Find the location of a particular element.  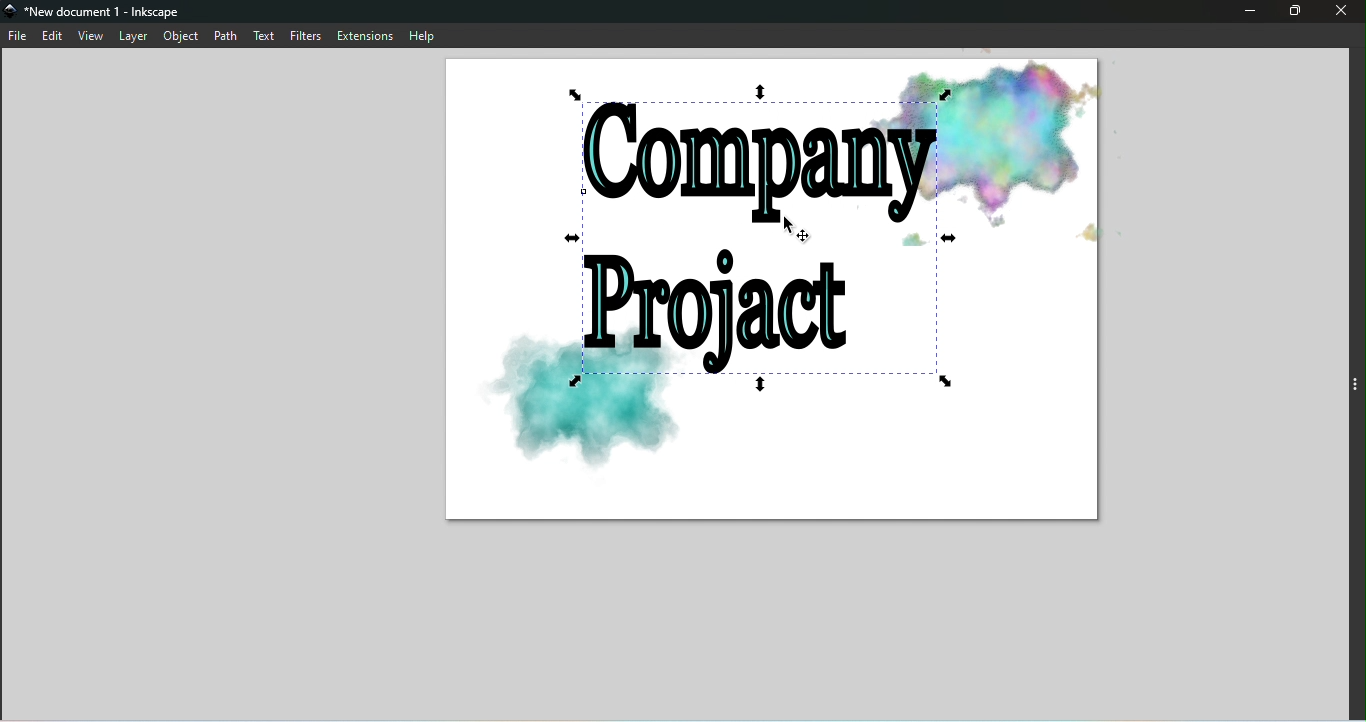

Minimize is located at coordinates (1247, 13).